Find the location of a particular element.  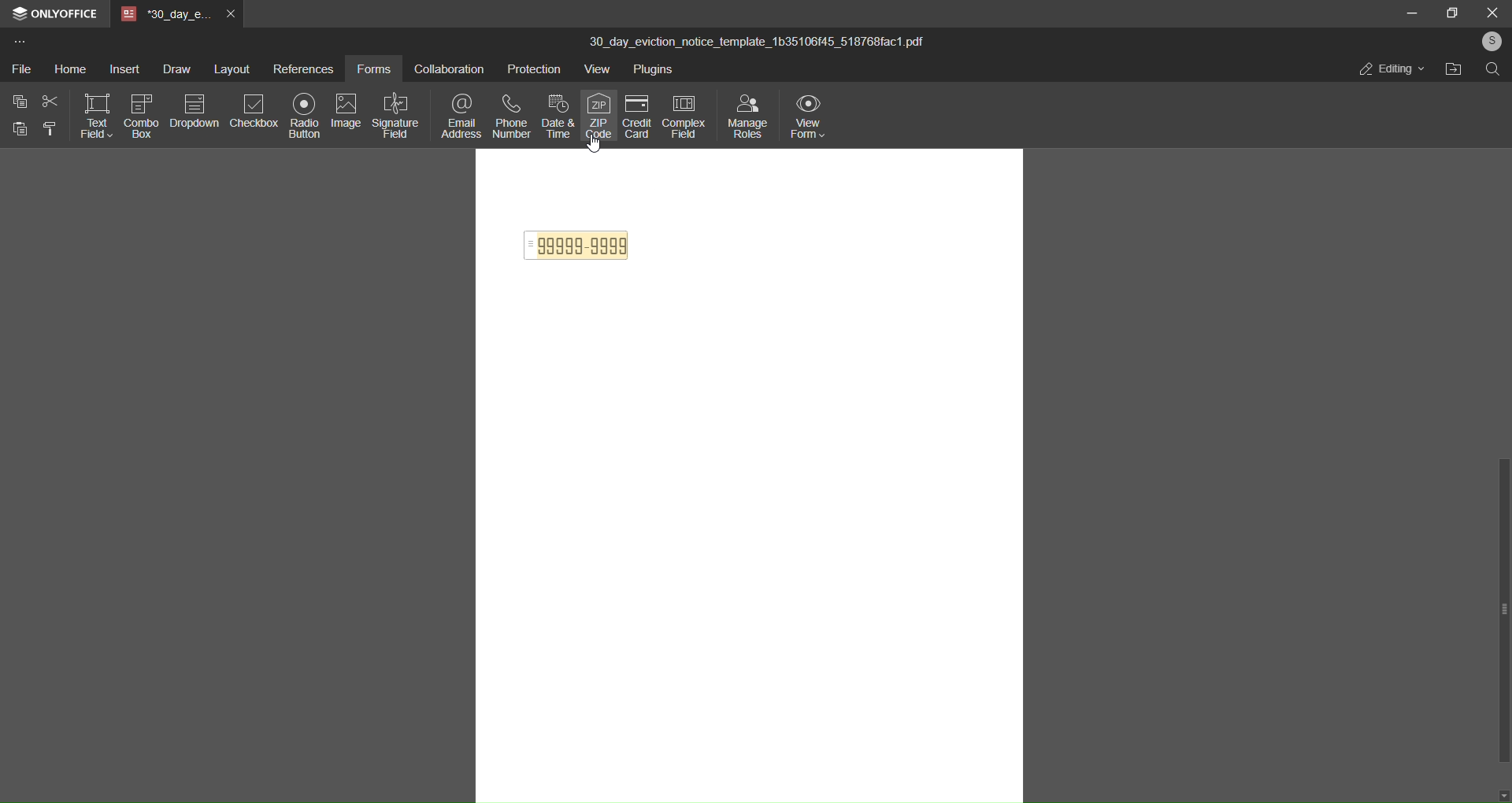

home is located at coordinates (69, 70).